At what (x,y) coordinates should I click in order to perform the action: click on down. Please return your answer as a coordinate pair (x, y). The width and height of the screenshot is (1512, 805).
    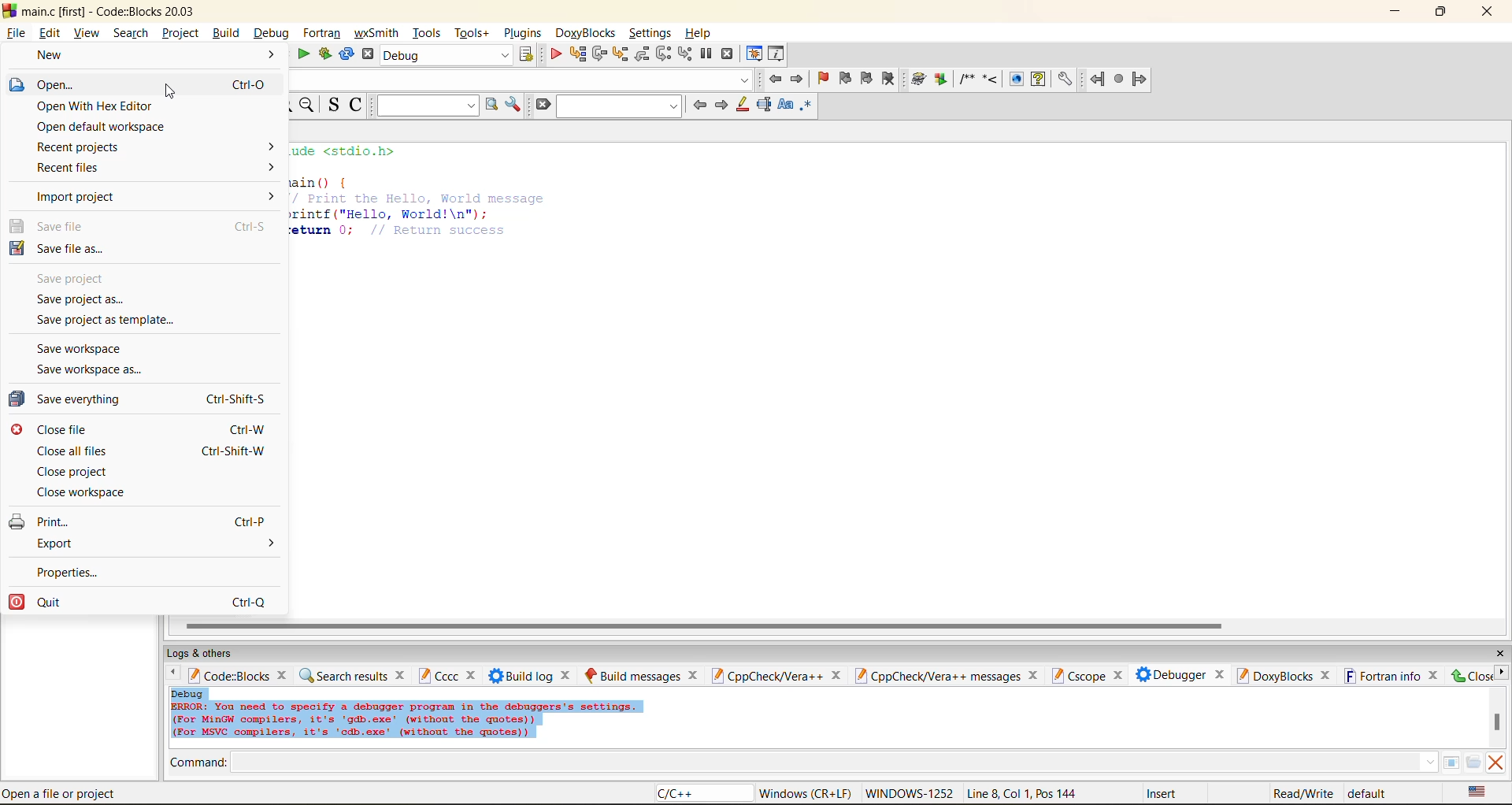
    Looking at the image, I should click on (1429, 762).